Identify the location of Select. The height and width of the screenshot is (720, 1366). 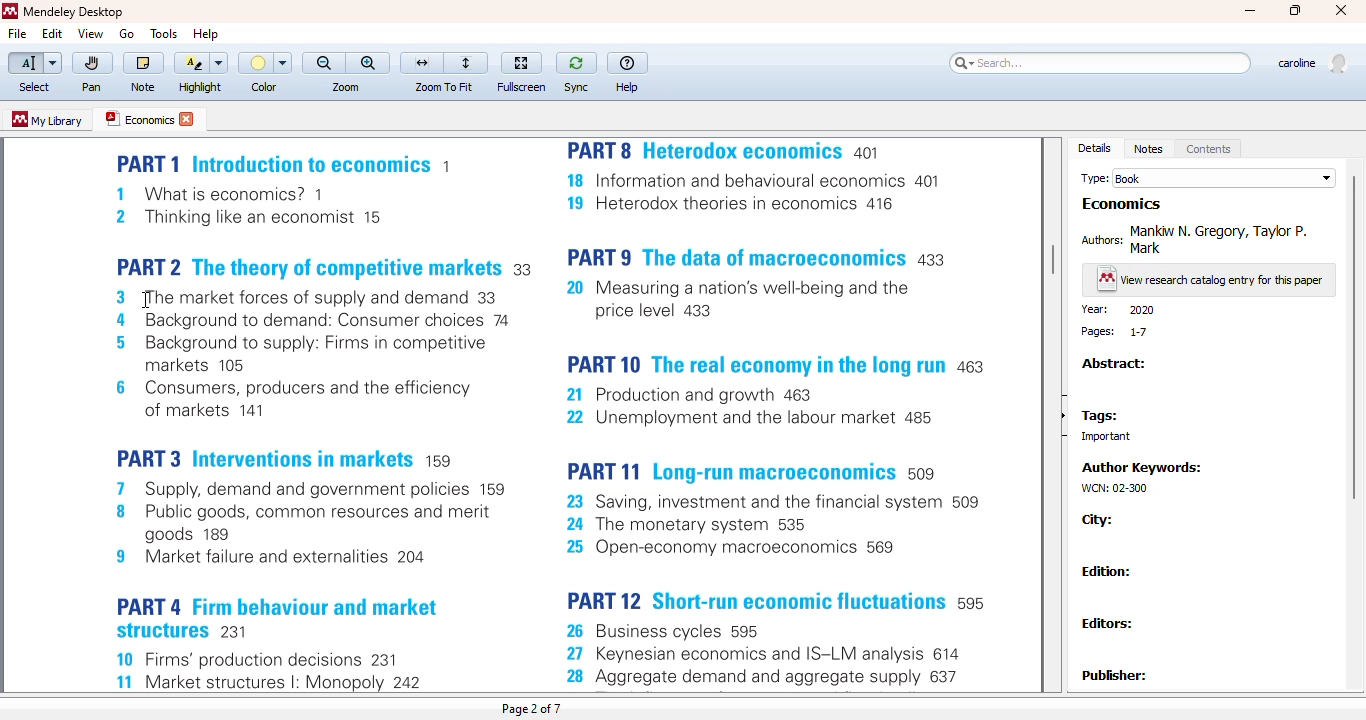
(35, 64).